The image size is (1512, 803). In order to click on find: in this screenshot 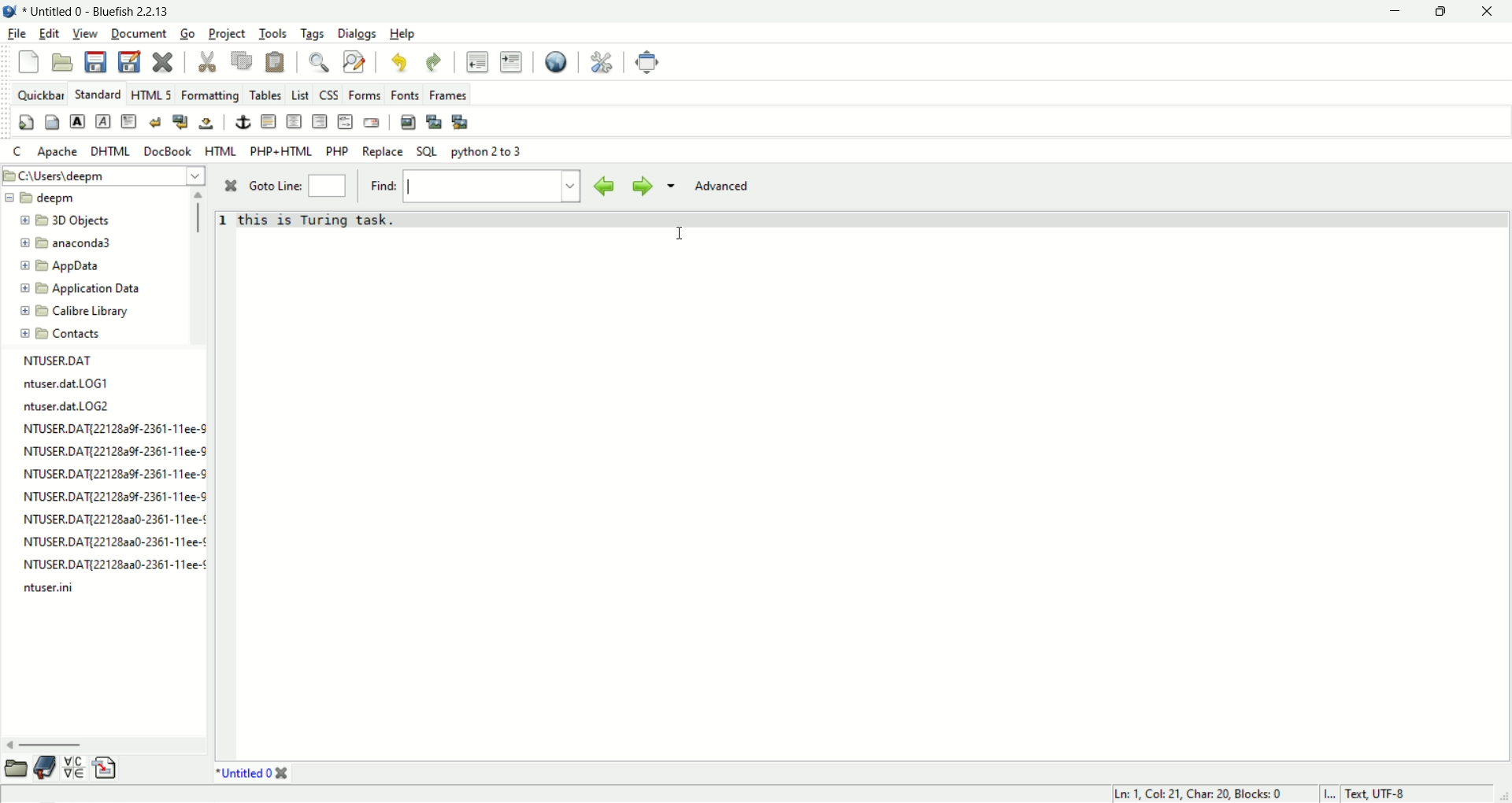, I will do `click(384, 184)`.